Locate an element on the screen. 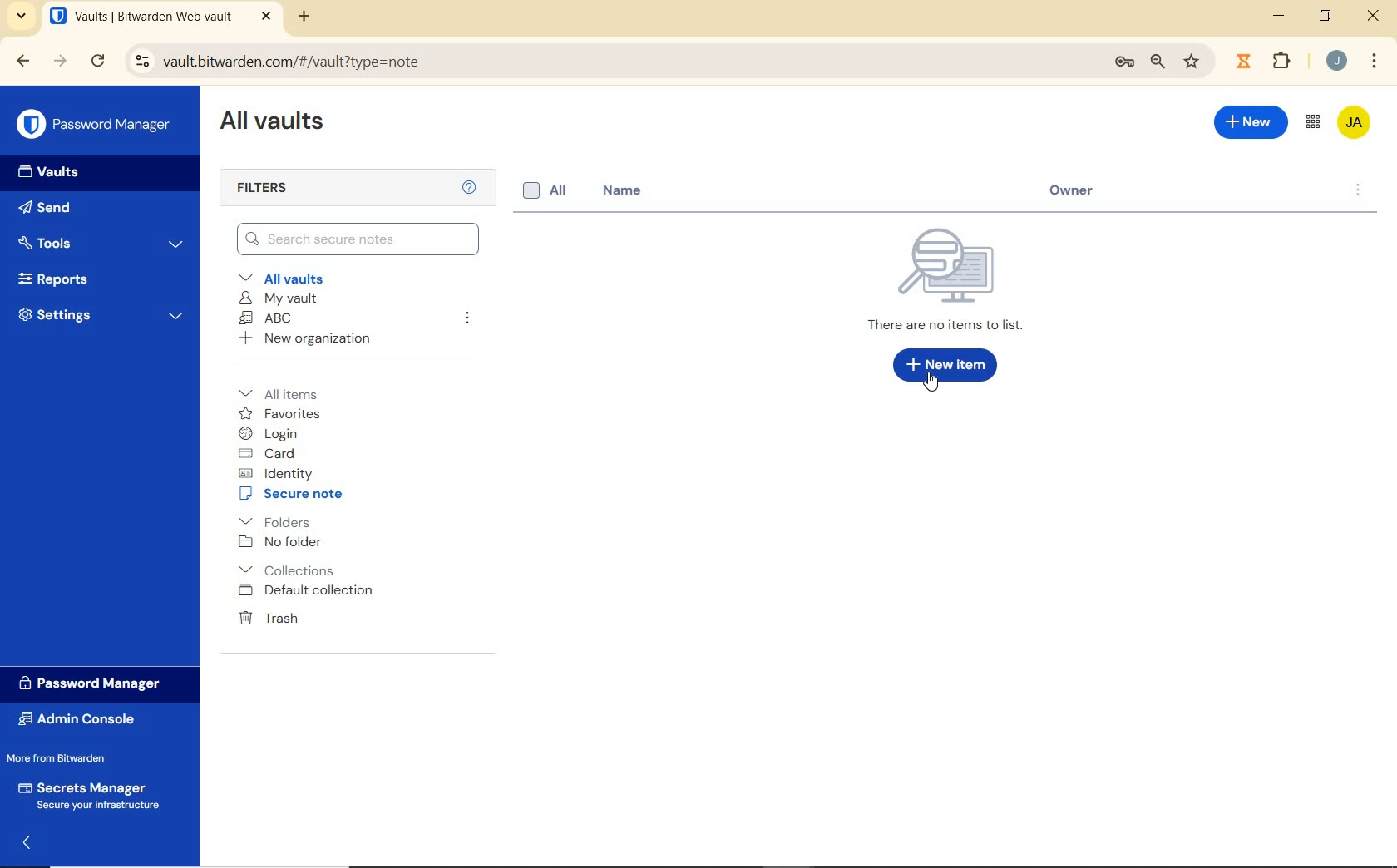 The image size is (1397, 868). forward is located at coordinates (60, 61).